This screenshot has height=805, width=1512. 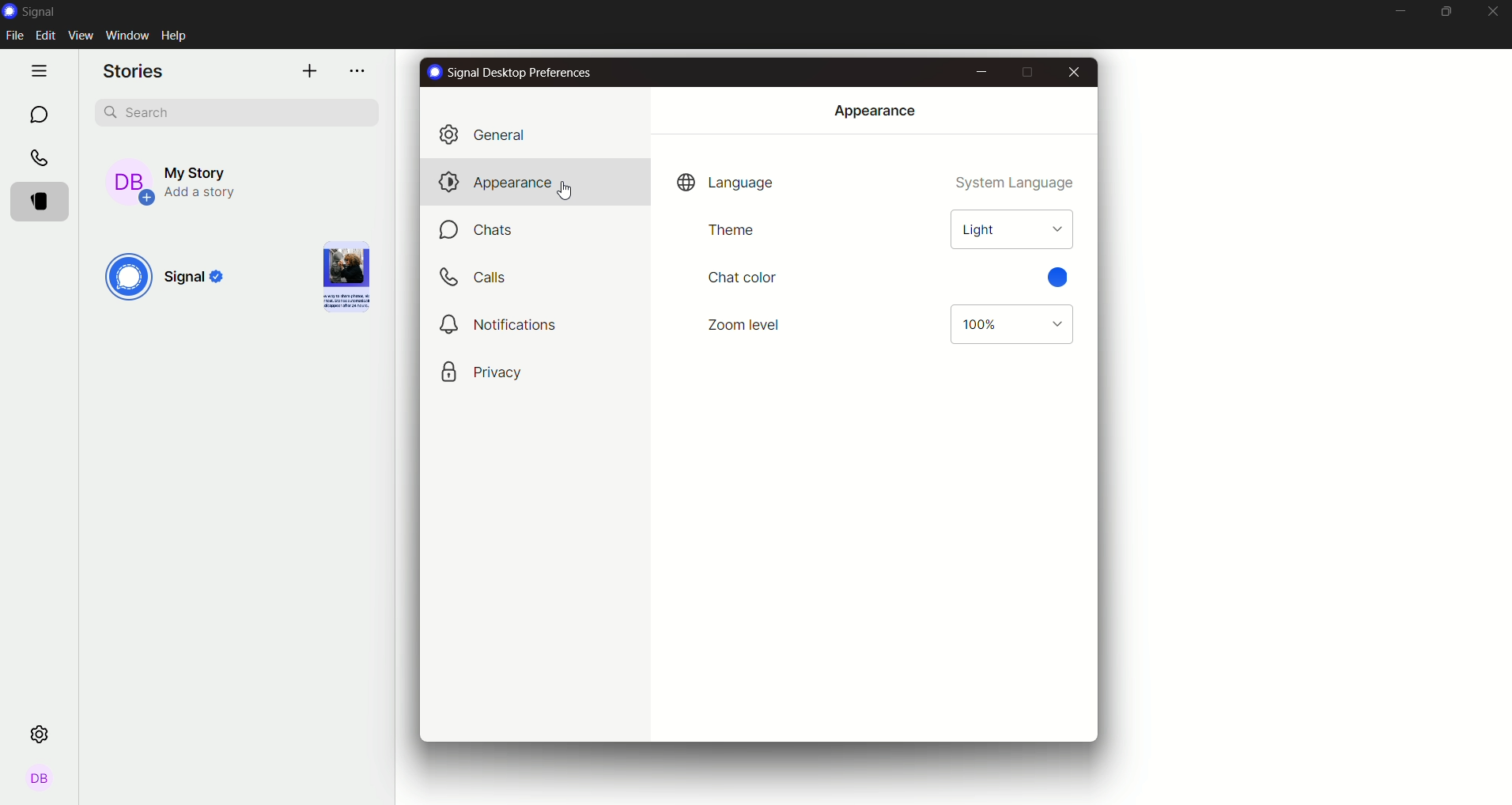 What do you see at coordinates (40, 158) in the screenshot?
I see `calls` at bounding box center [40, 158].